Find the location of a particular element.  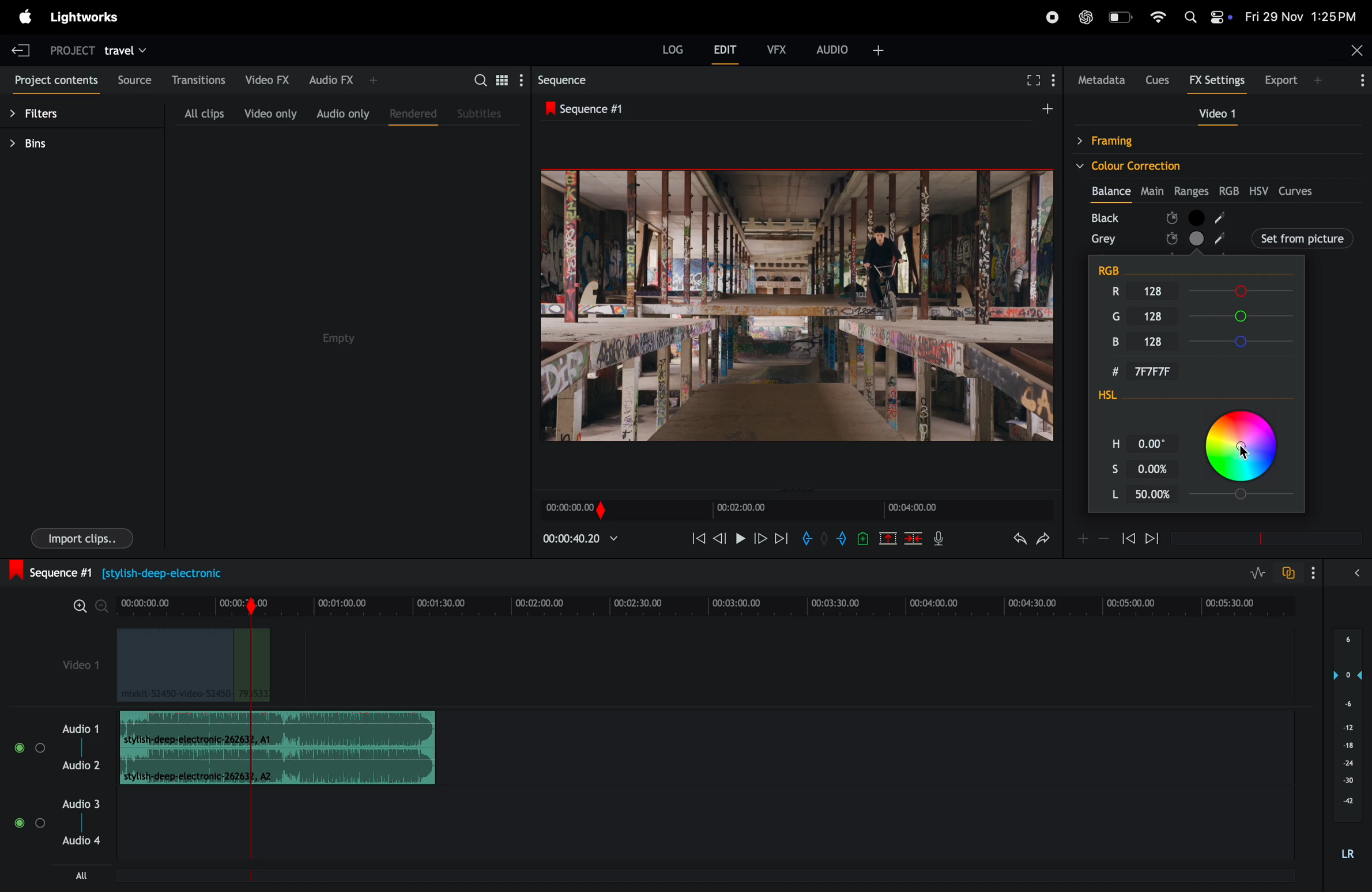

Toggle is located at coordinates (41, 824).